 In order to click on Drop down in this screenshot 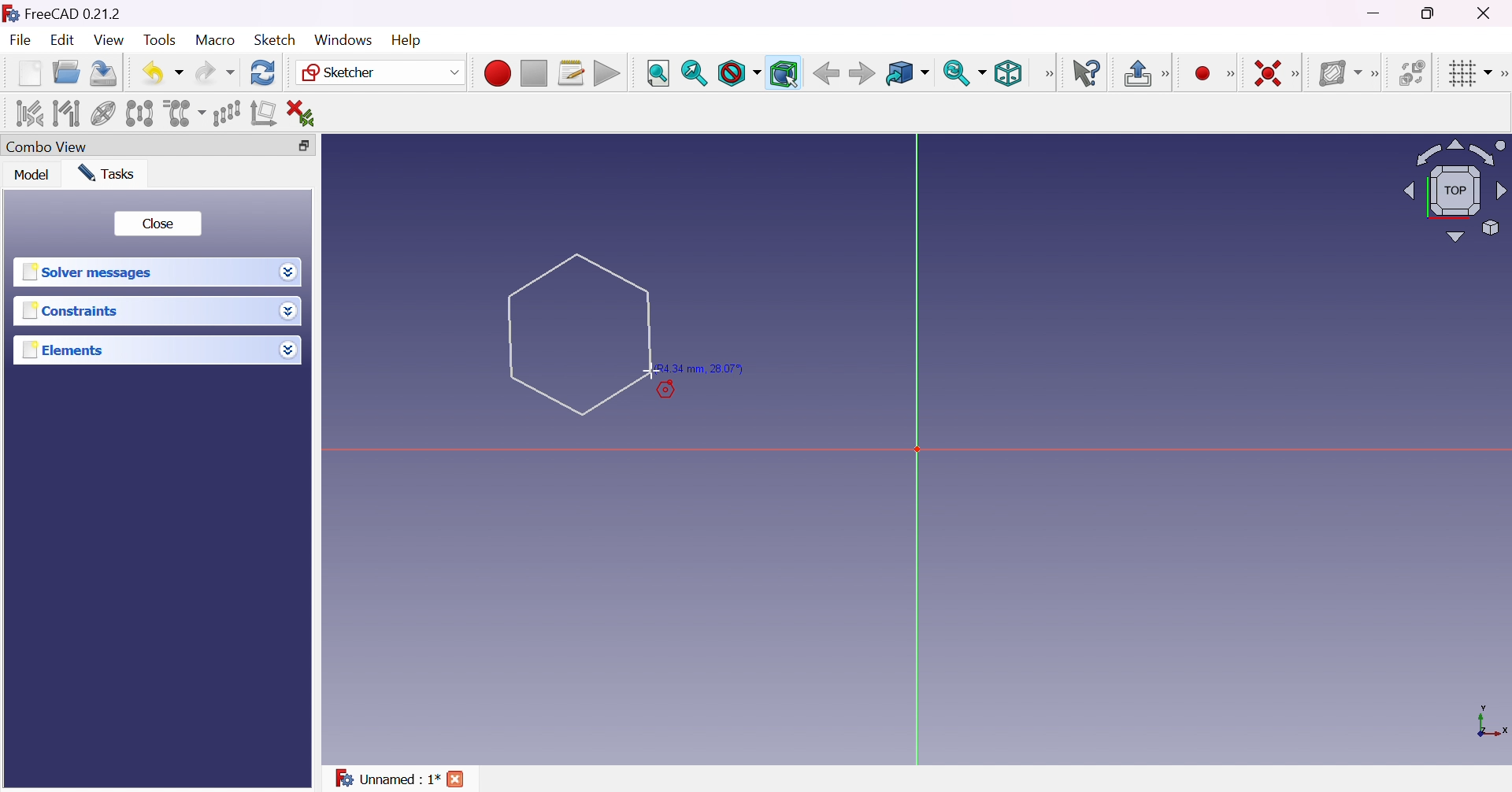, I will do `click(292, 313)`.